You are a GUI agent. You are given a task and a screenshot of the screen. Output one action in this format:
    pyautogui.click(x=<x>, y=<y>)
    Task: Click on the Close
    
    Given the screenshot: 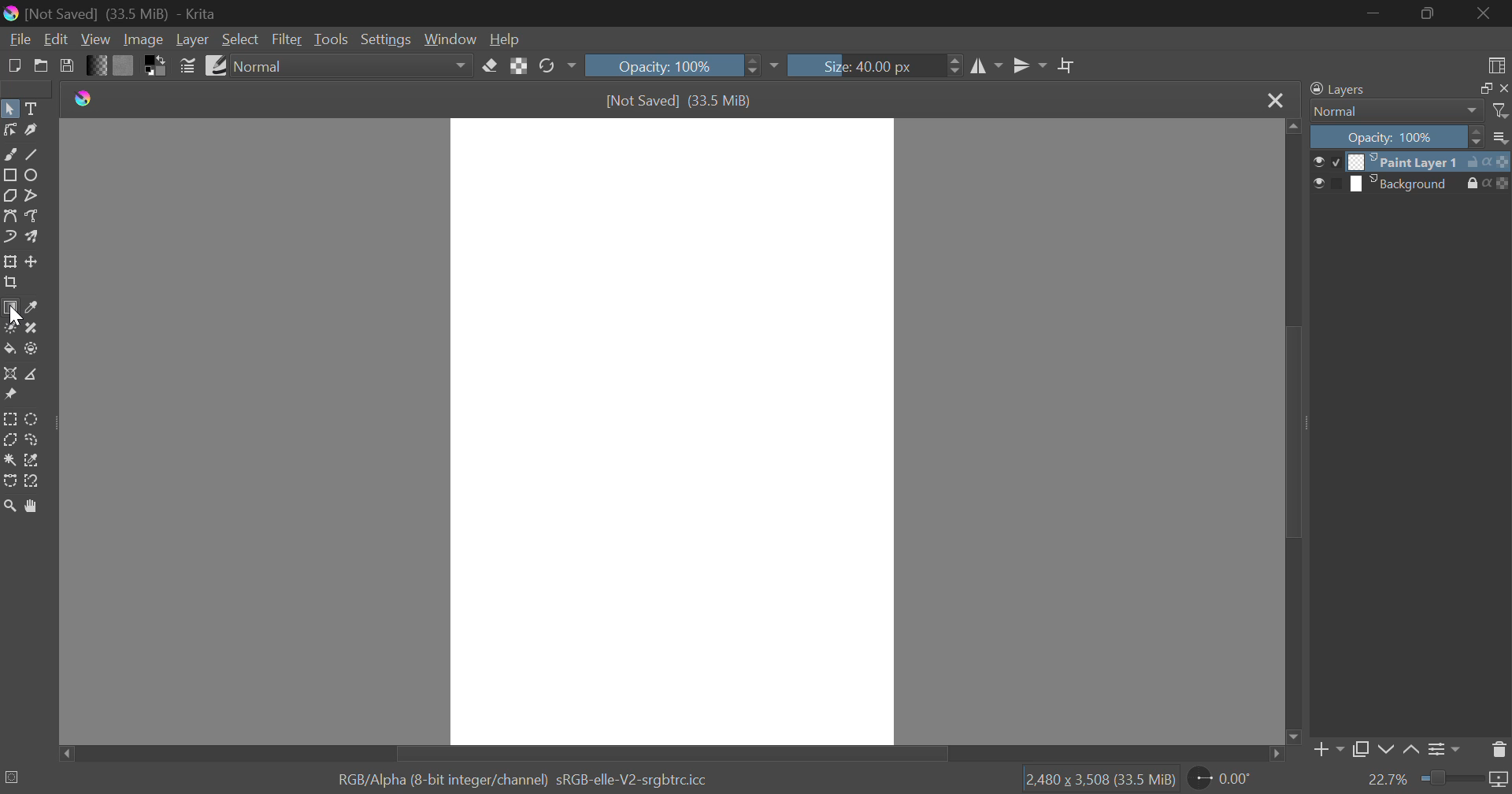 What is the action you would take?
    pyautogui.click(x=1488, y=13)
    